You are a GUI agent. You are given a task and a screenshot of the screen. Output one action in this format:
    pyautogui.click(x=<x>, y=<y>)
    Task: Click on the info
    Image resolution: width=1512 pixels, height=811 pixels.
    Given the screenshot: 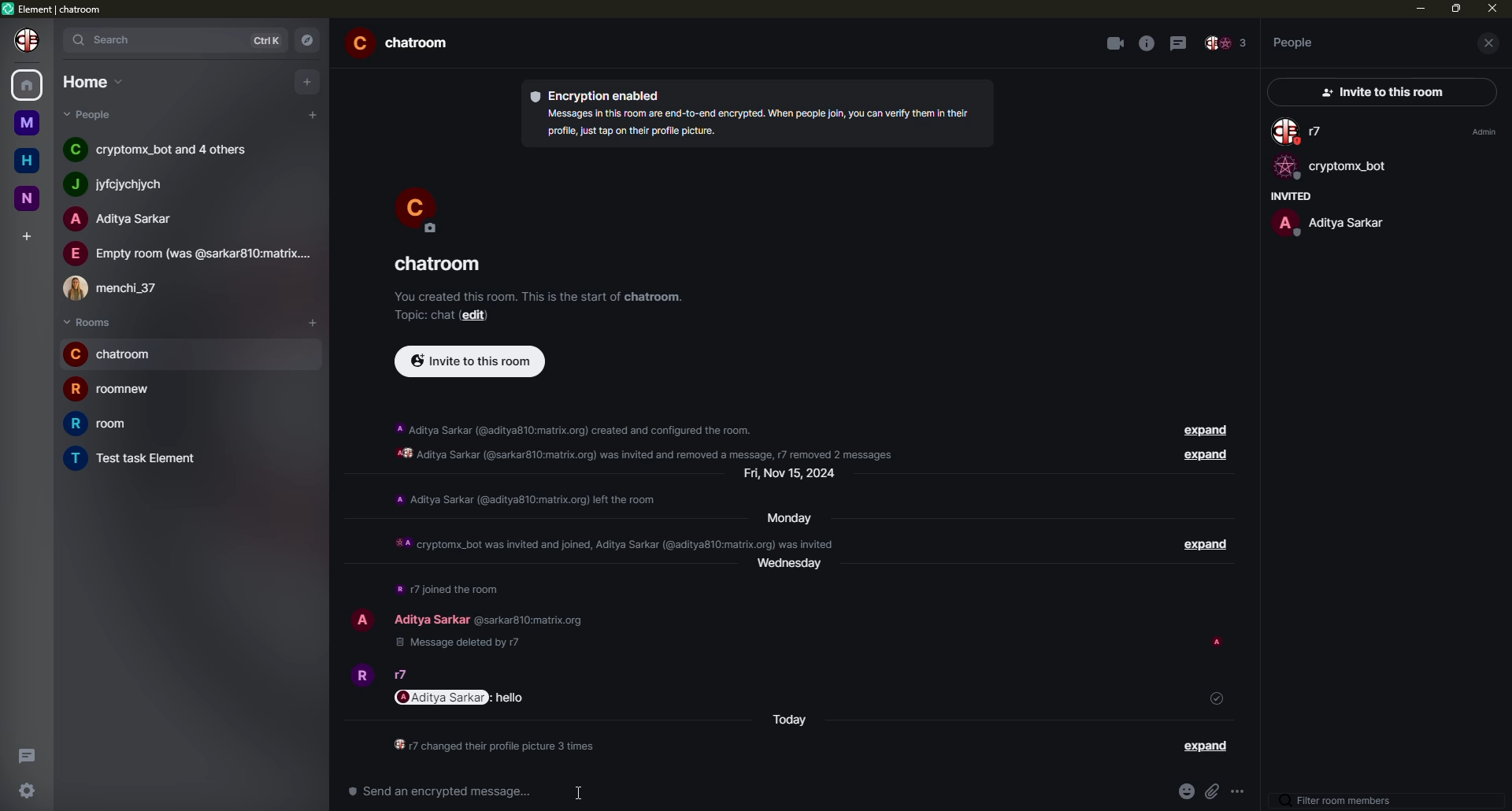 What is the action you would take?
    pyautogui.click(x=652, y=441)
    